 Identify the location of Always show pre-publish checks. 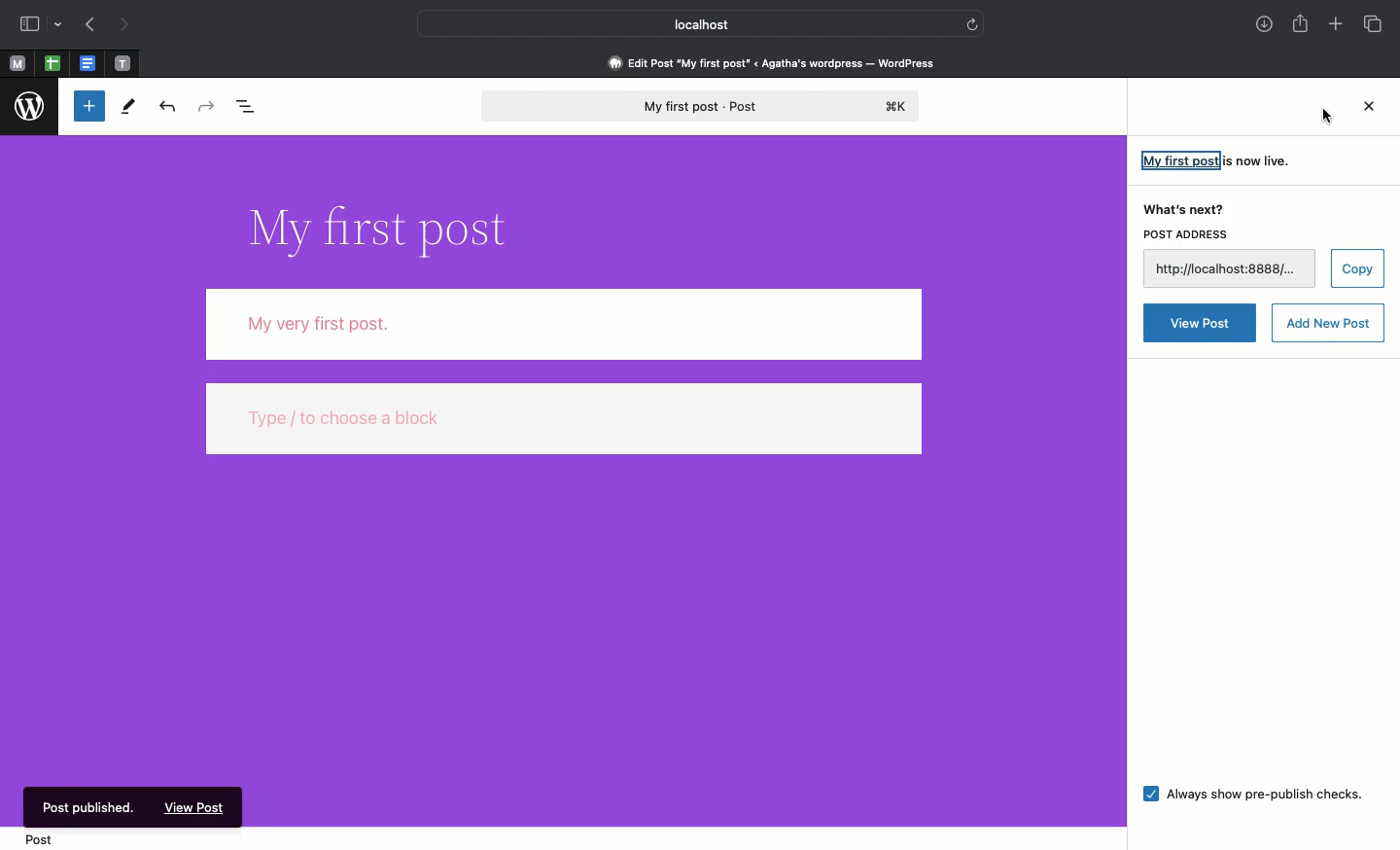
(1251, 797).